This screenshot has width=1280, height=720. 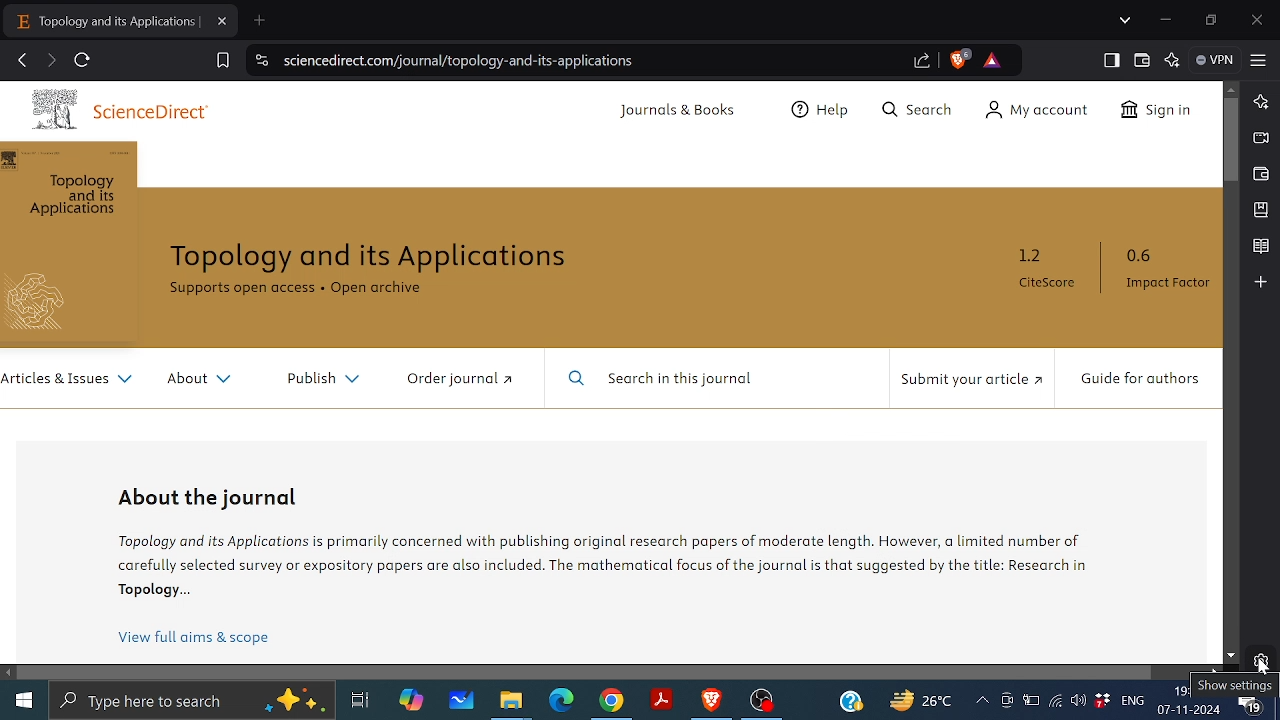 What do you see at coordinates (1039, 109) in the screenshot?
I see `My account` at bounding box center [1039, 109].